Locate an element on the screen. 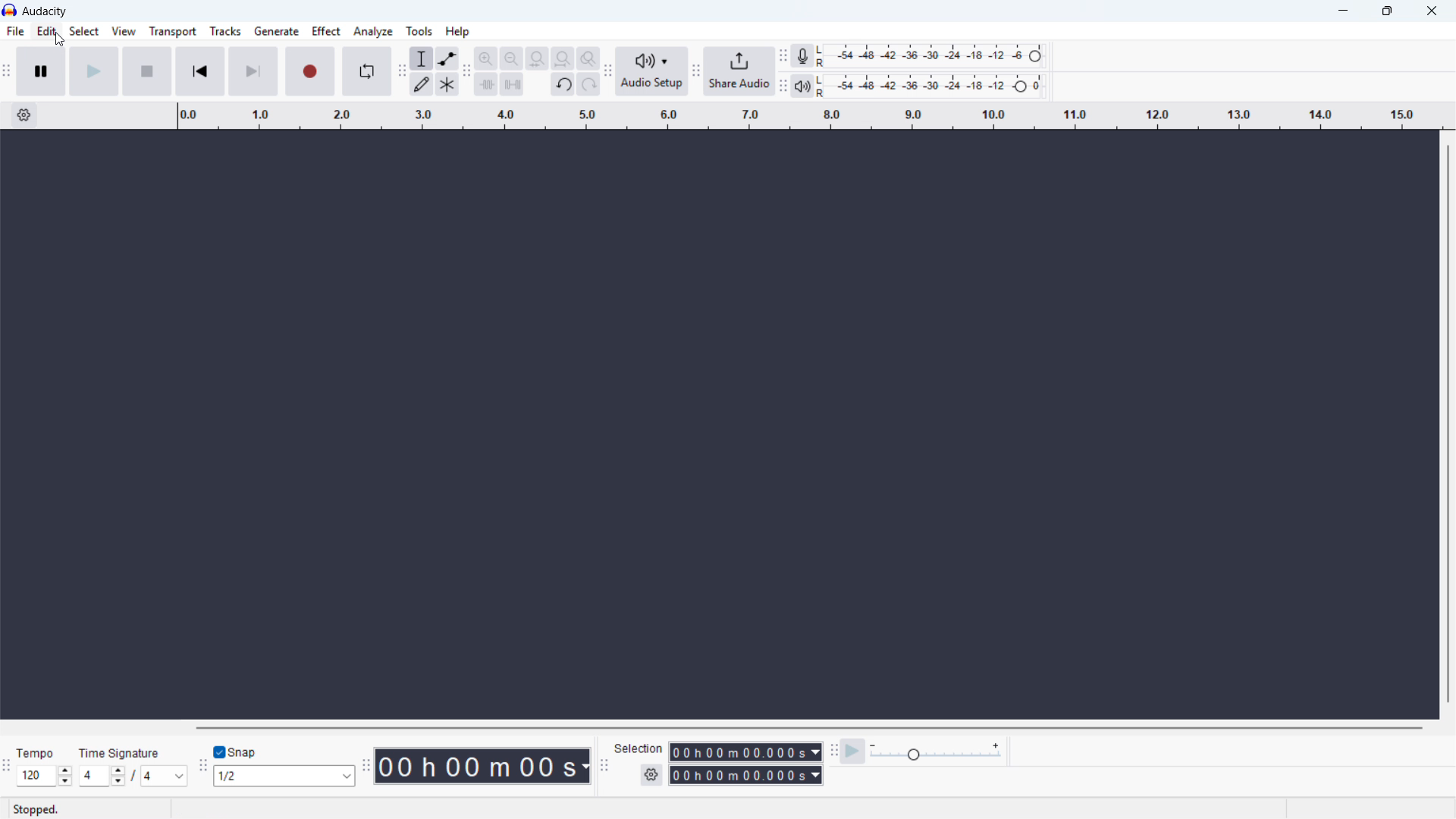  set time signature is located at coordinates (134, 765).